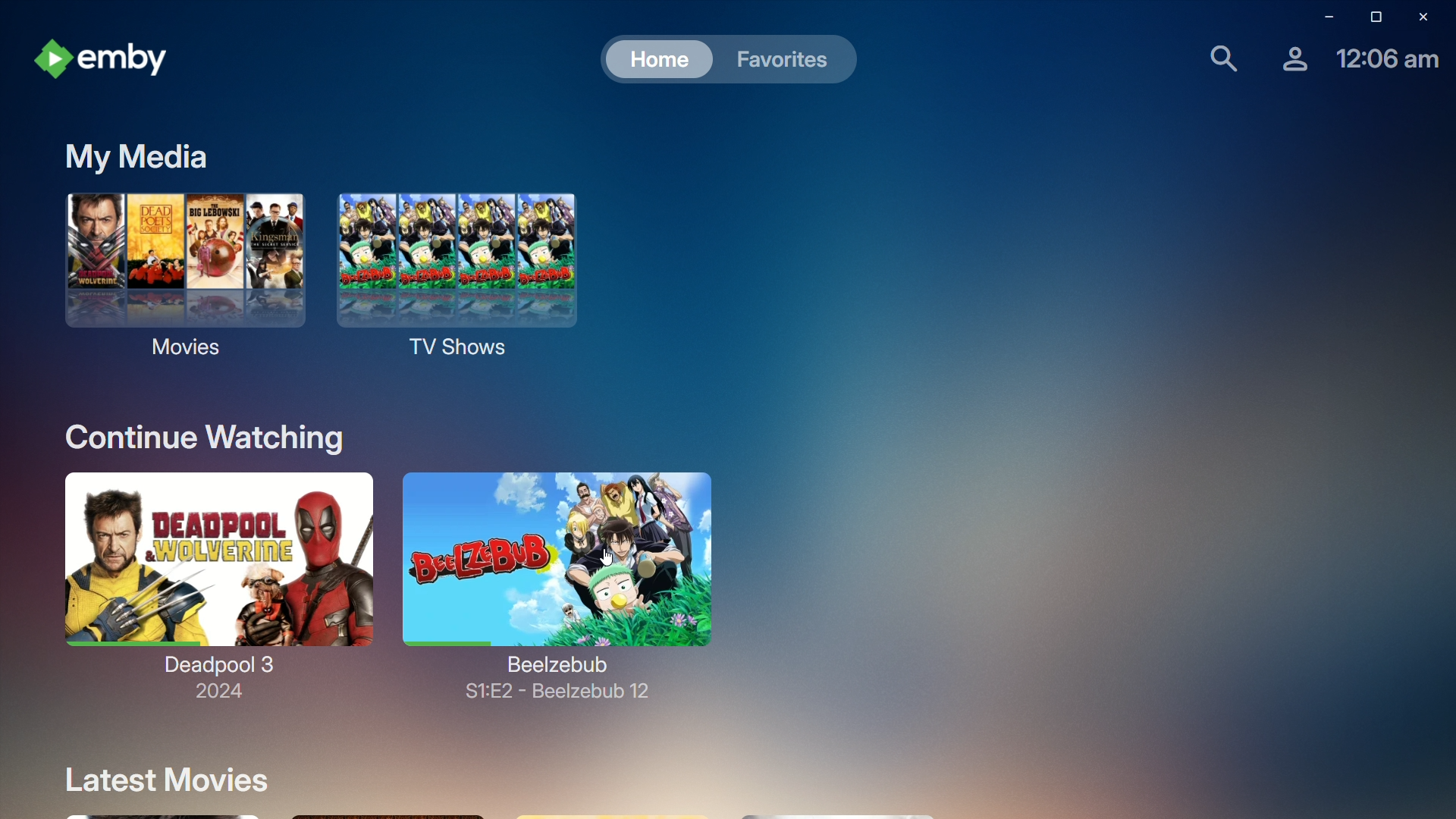 This screenshot has width=1456, height=819. I want to click on Time, so click(1393, 60).